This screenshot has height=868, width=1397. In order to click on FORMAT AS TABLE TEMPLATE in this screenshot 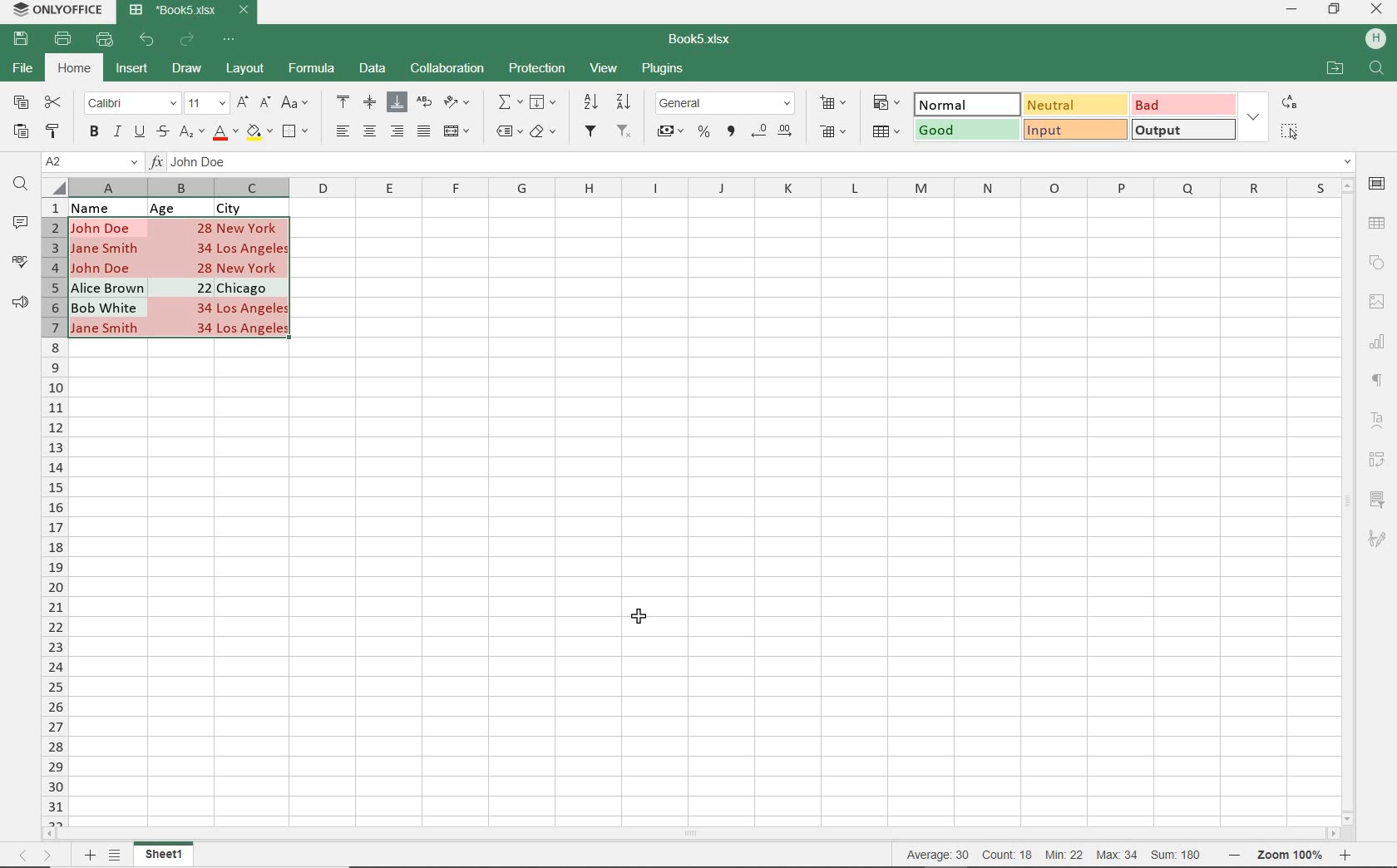, I will do `click(887, 131)`.